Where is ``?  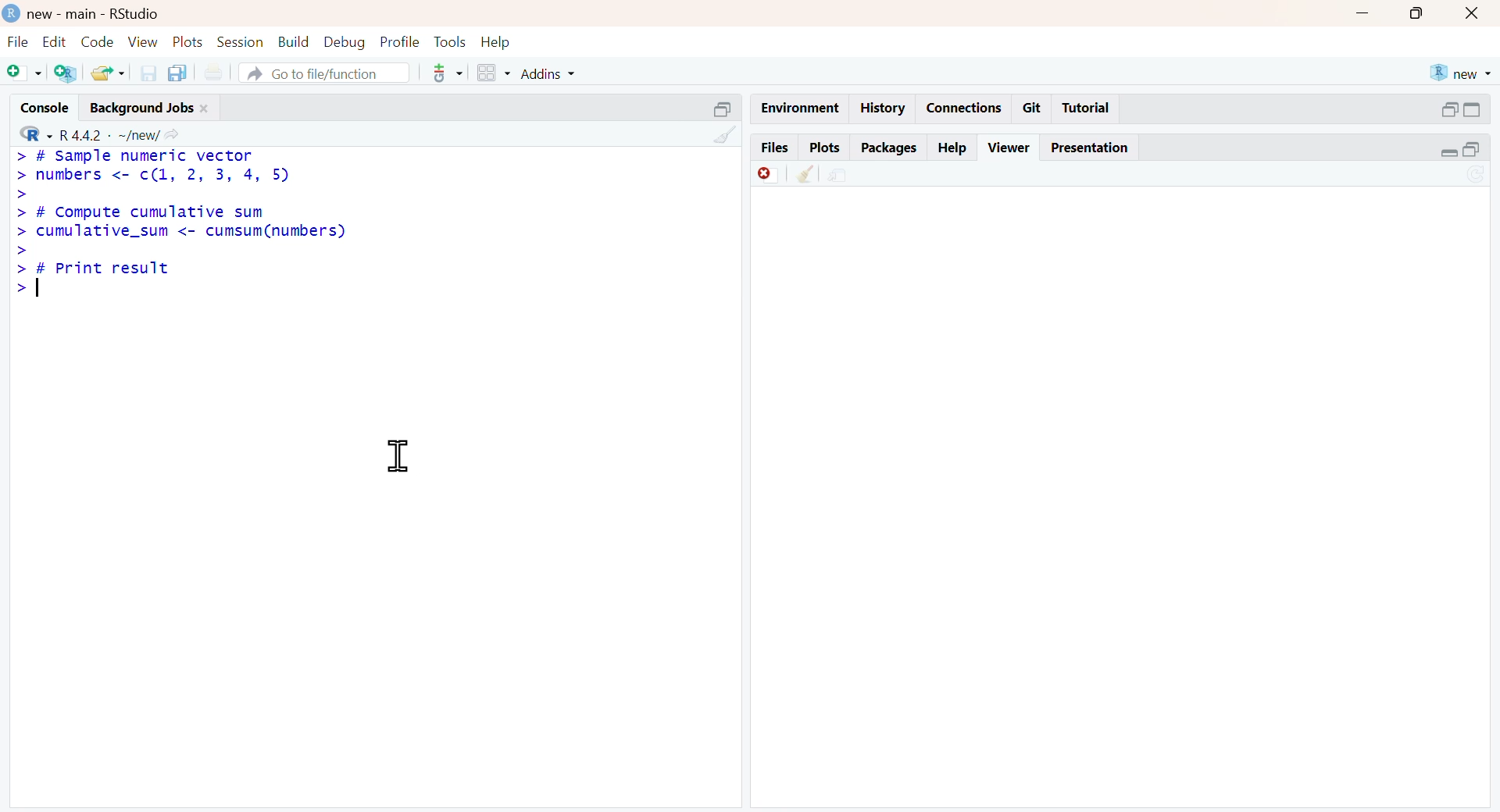
 is located at coordinates (1418, 13).